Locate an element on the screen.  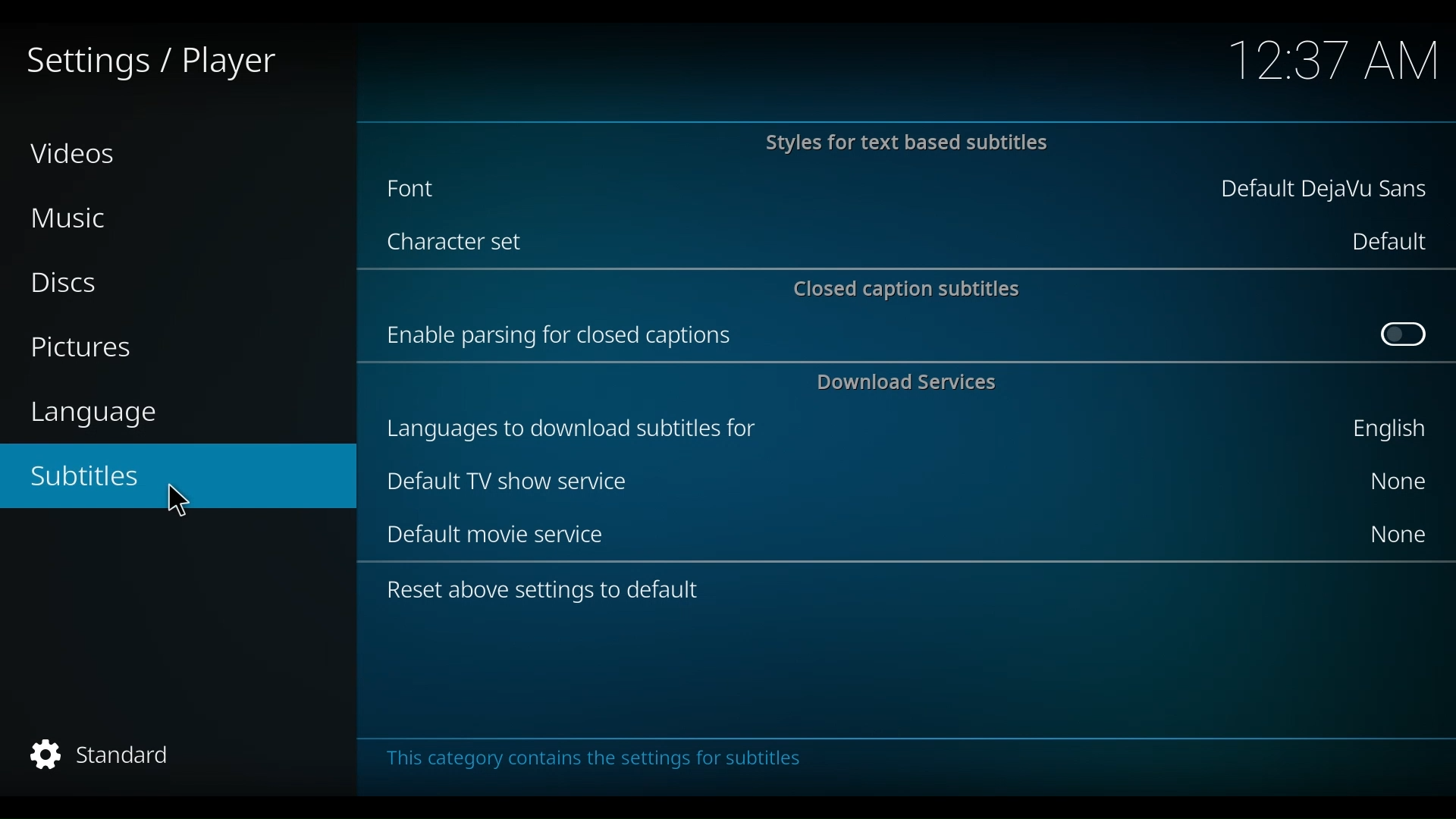
Character set is located at coordinates (460, 244).